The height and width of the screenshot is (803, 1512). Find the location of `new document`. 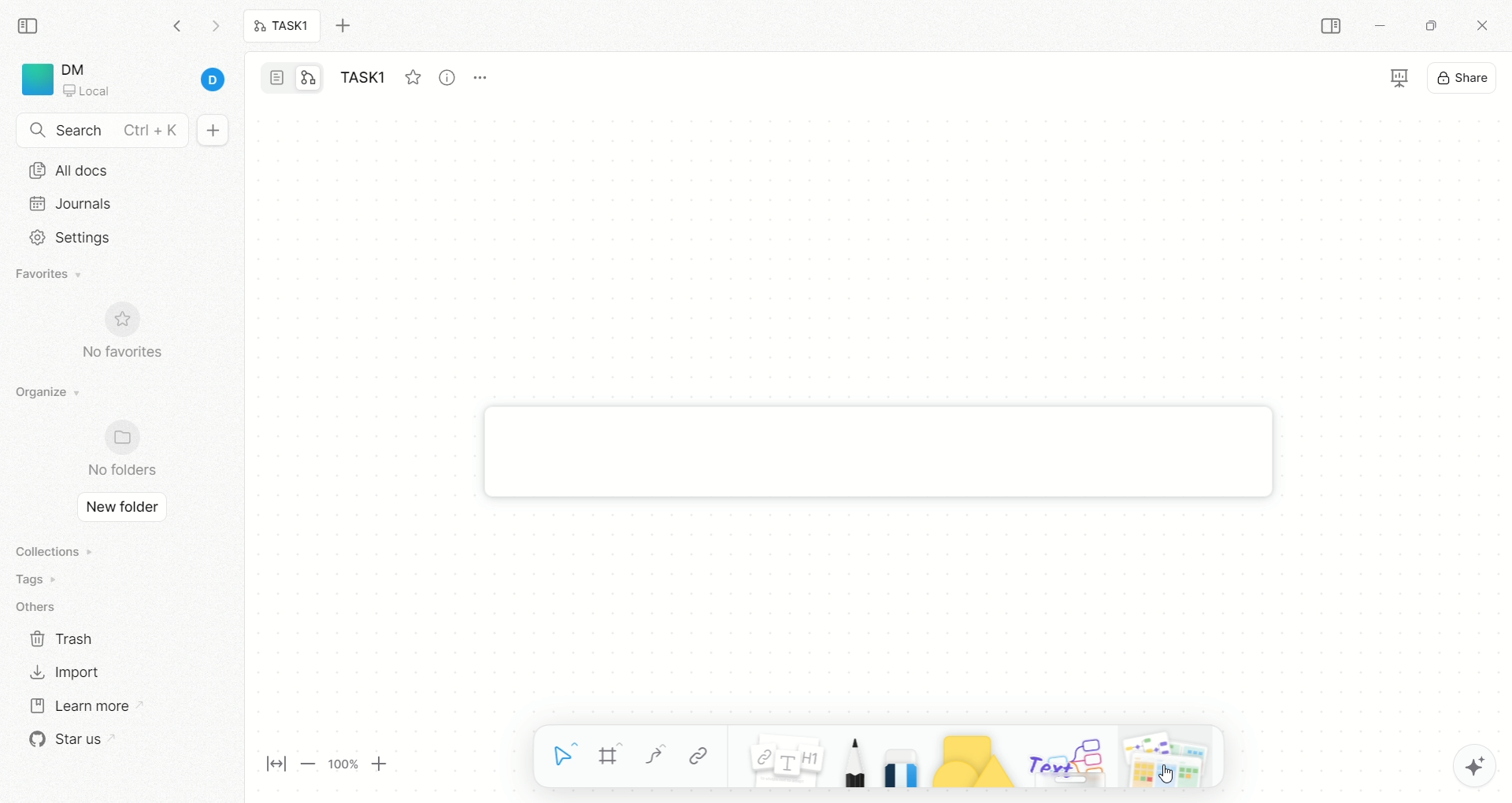

new document is located at coordinates (210, 131).